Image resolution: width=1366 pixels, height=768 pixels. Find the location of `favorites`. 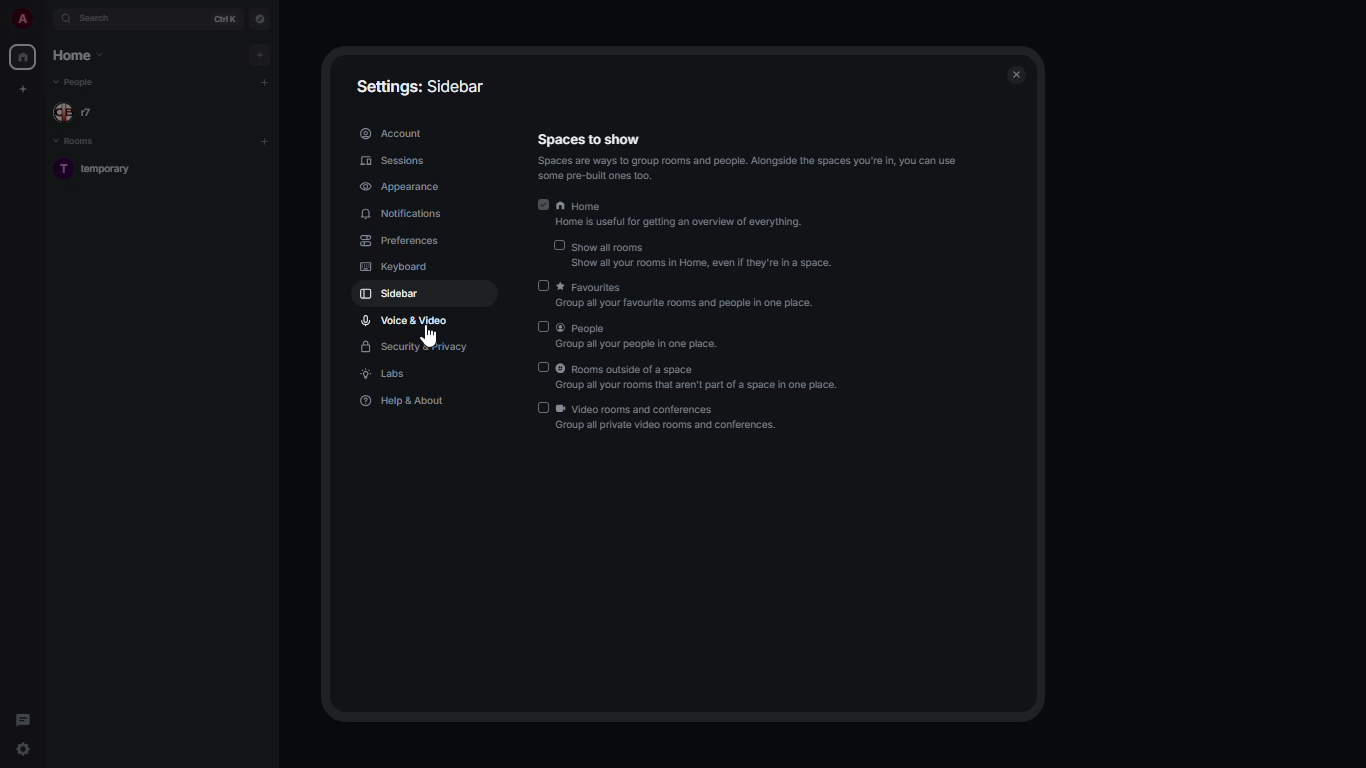

favorites is located at coordinates (690, 297).